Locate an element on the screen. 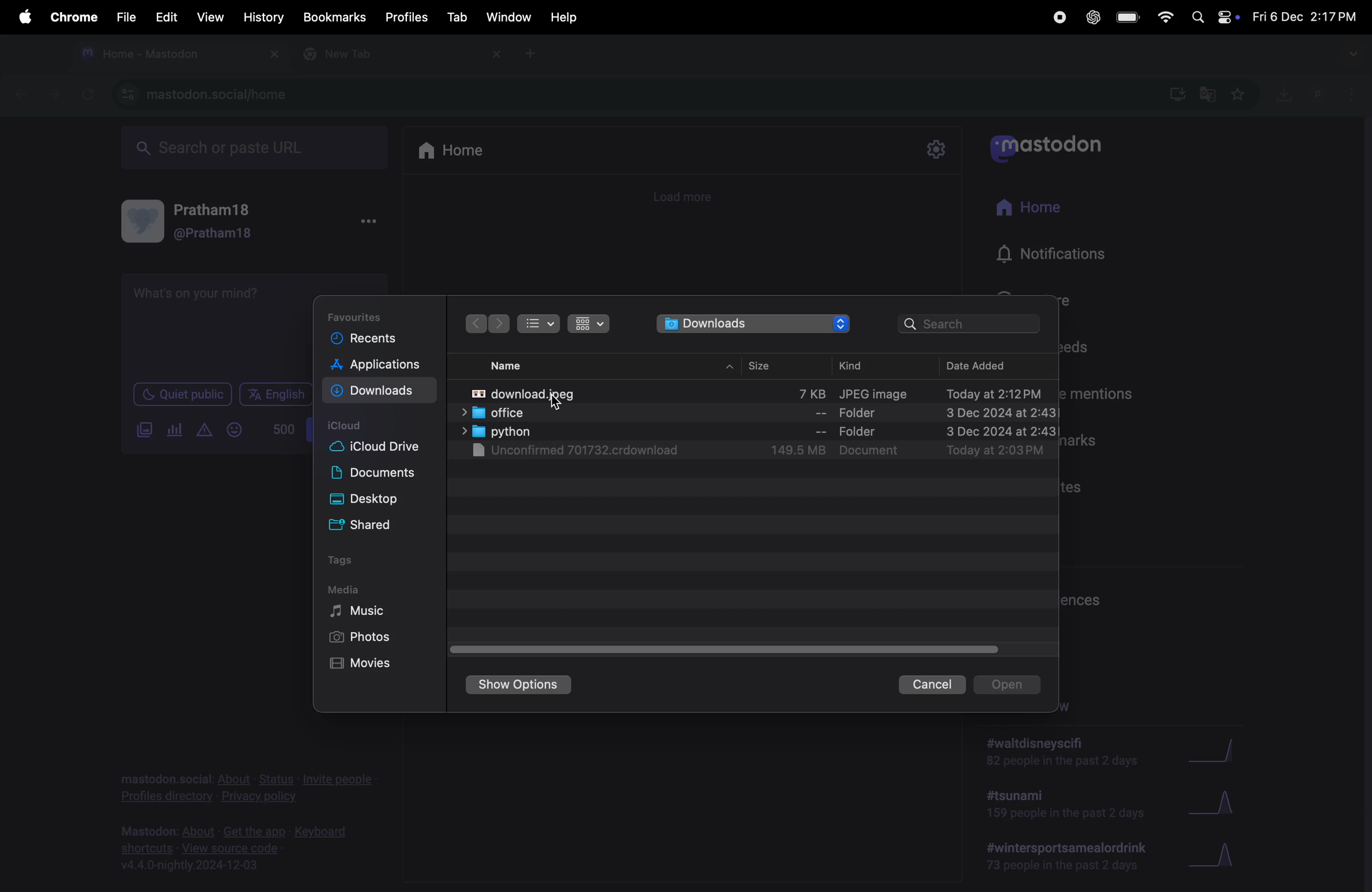  chrome is located at coordinates (72, 17).